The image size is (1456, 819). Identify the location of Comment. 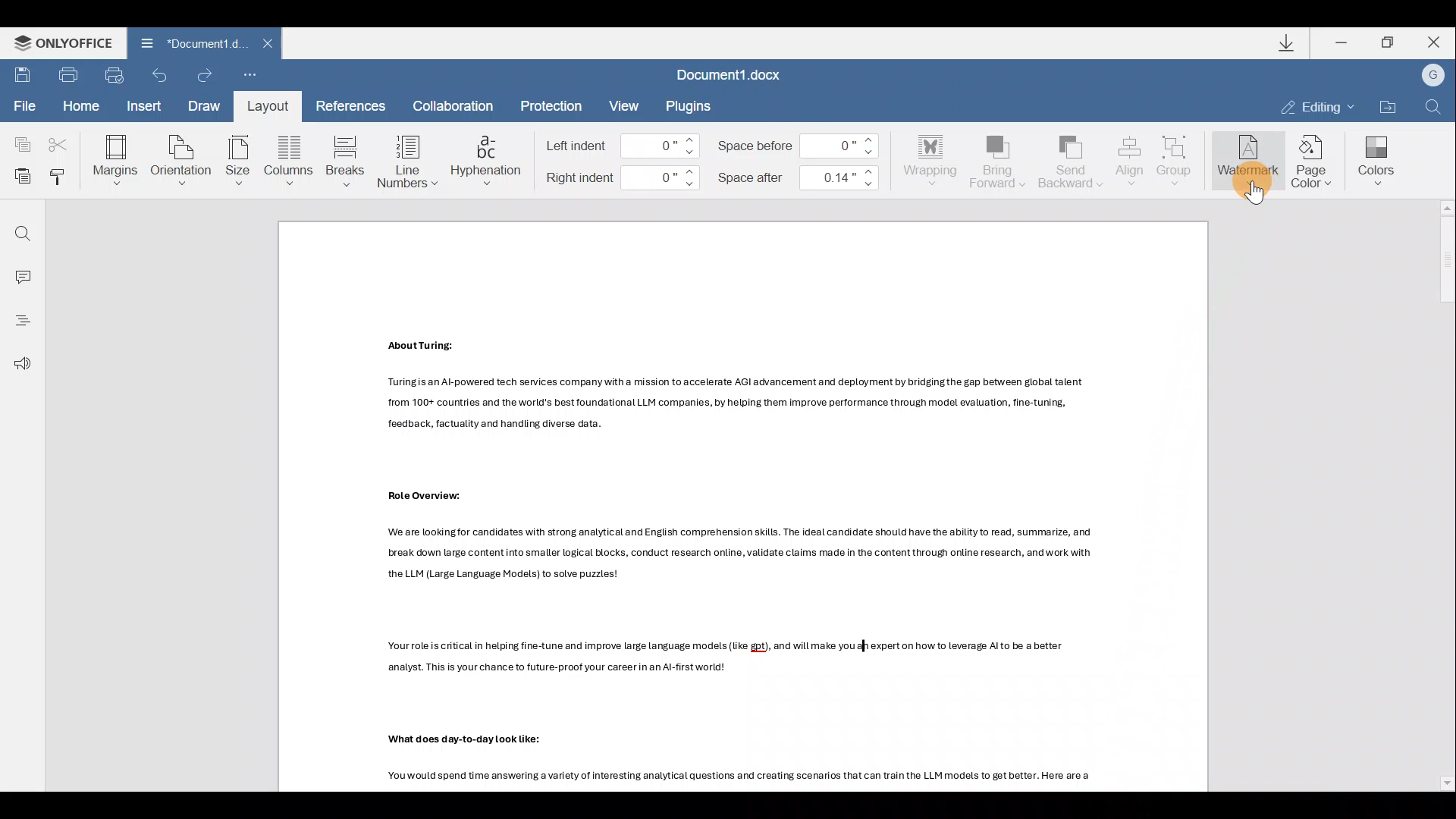
(21, 274).